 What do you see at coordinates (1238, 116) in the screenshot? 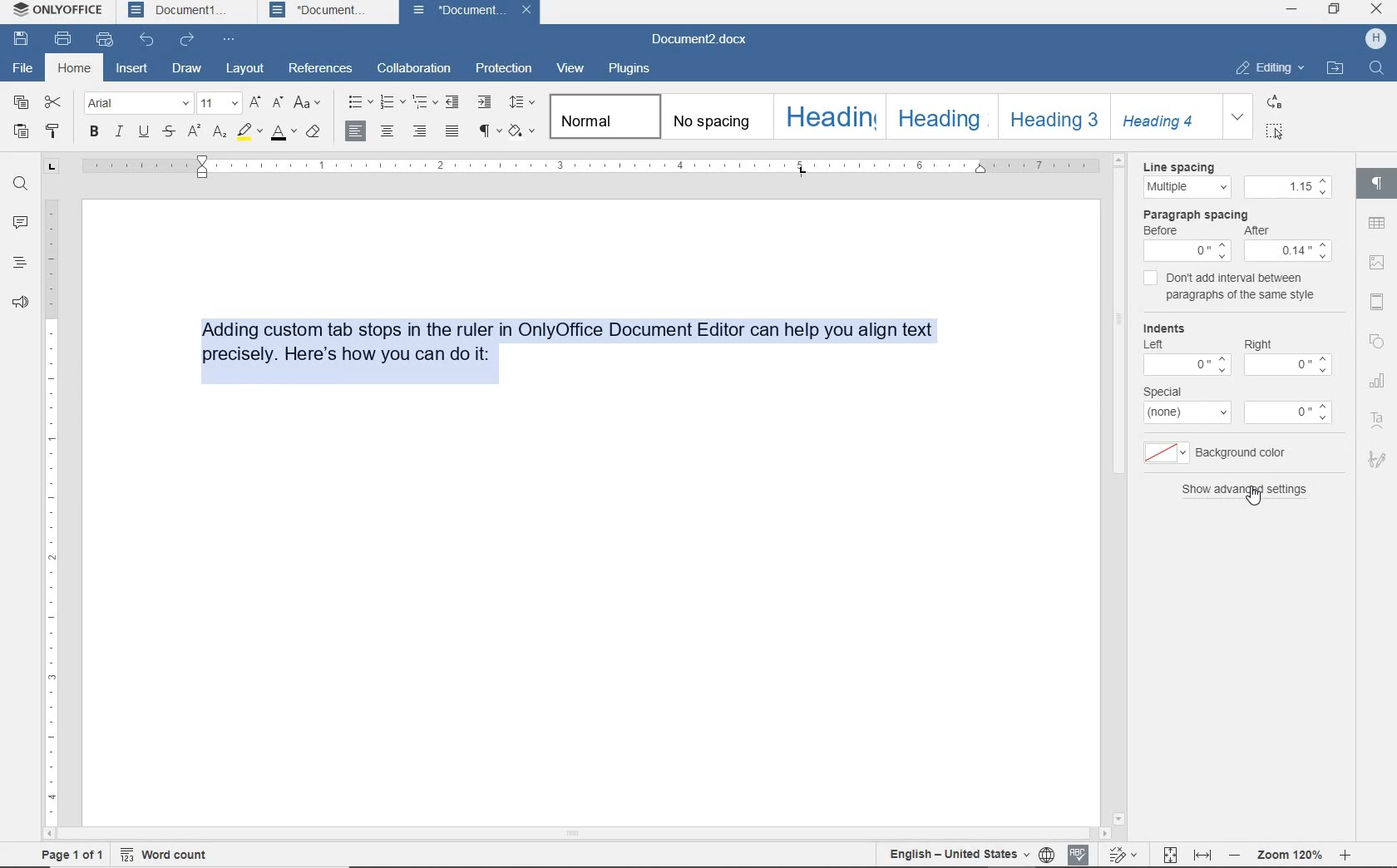
I see `expand` at bounding box center [1238, 116].